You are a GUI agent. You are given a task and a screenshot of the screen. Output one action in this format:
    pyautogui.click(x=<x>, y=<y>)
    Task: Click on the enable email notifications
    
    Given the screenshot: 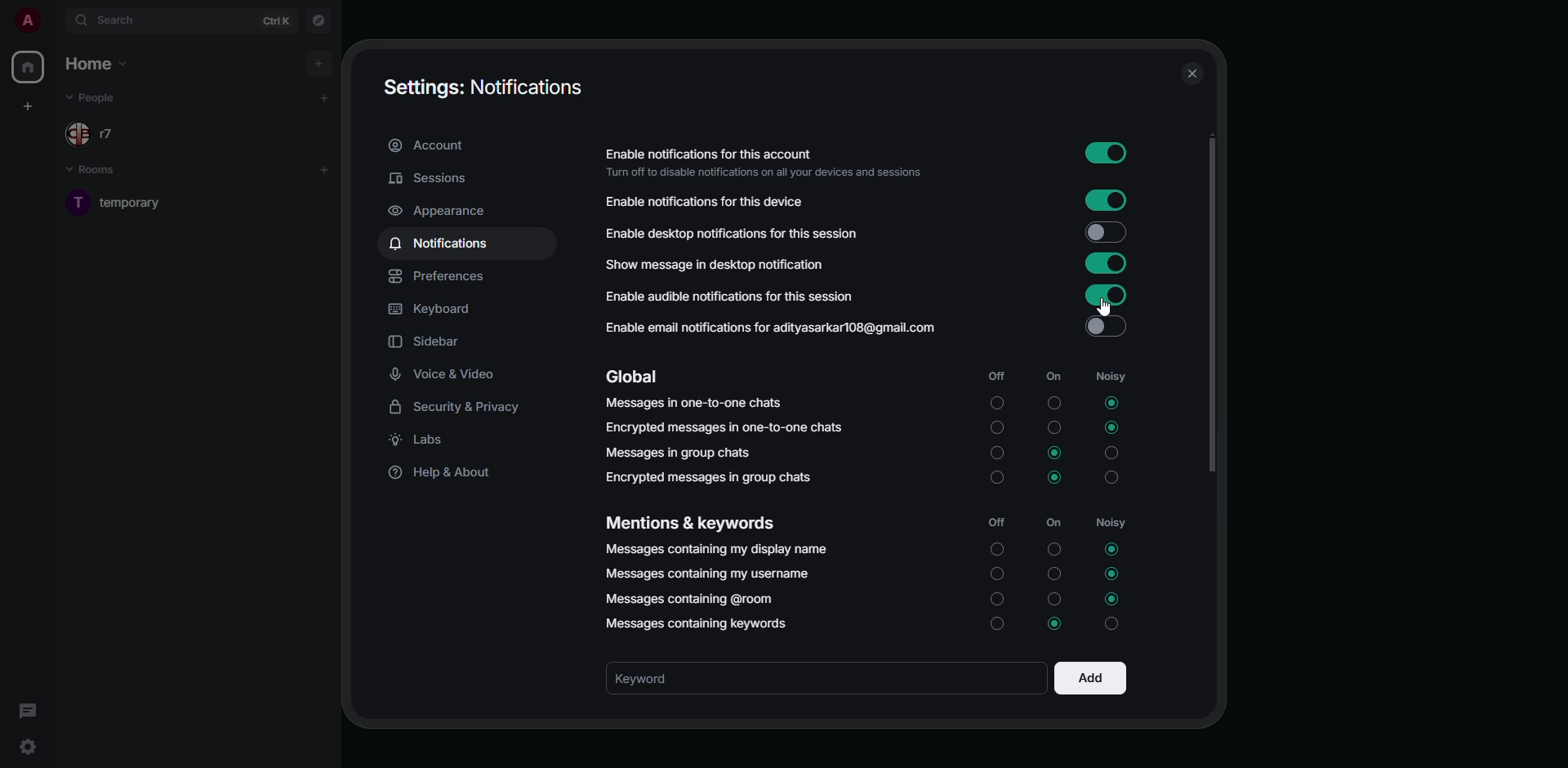 What is the action you would take?
    pyautogui.click(x=773, y=327)
    